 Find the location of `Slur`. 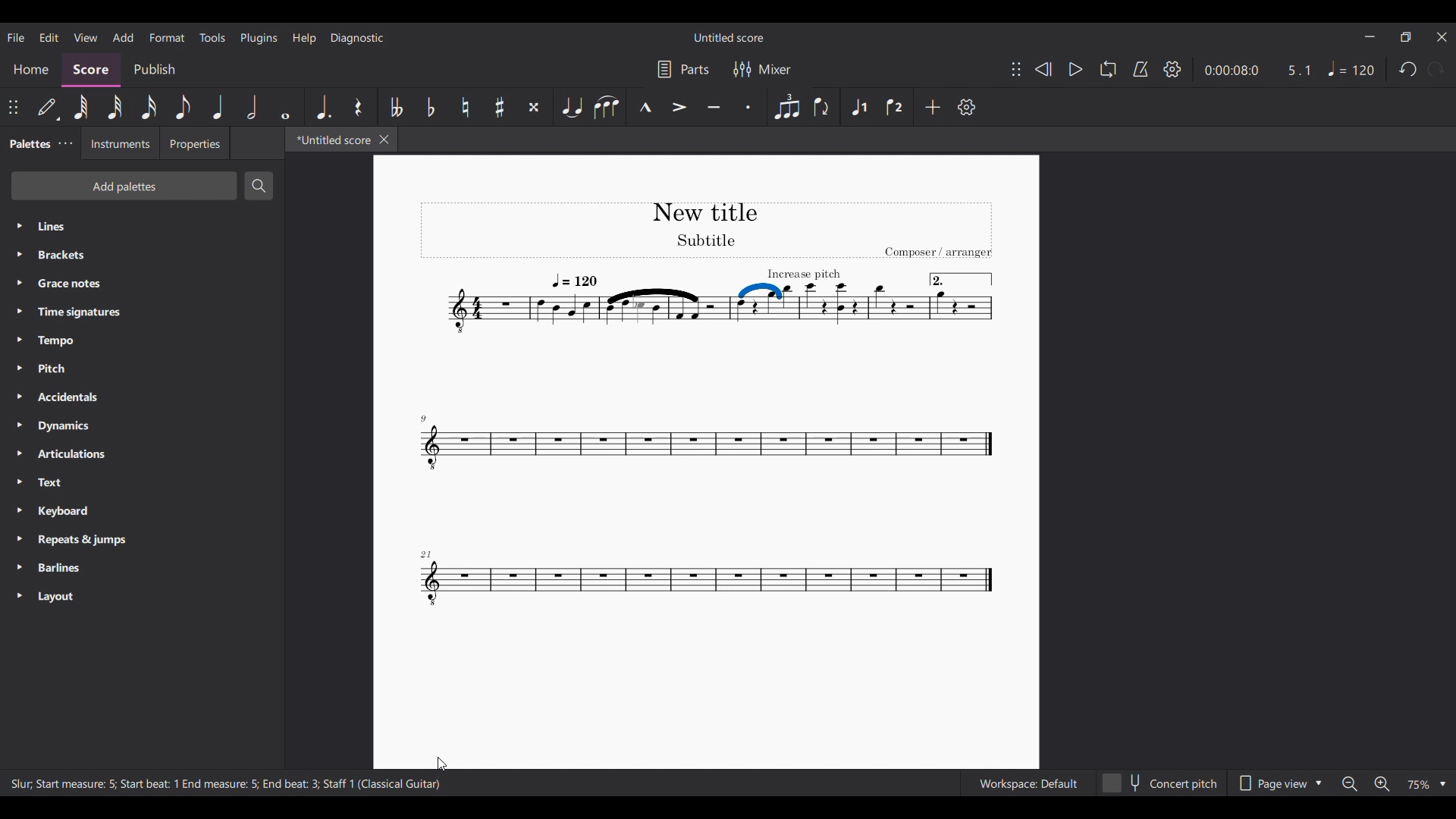

Slur is located at coordinates (607, 107).